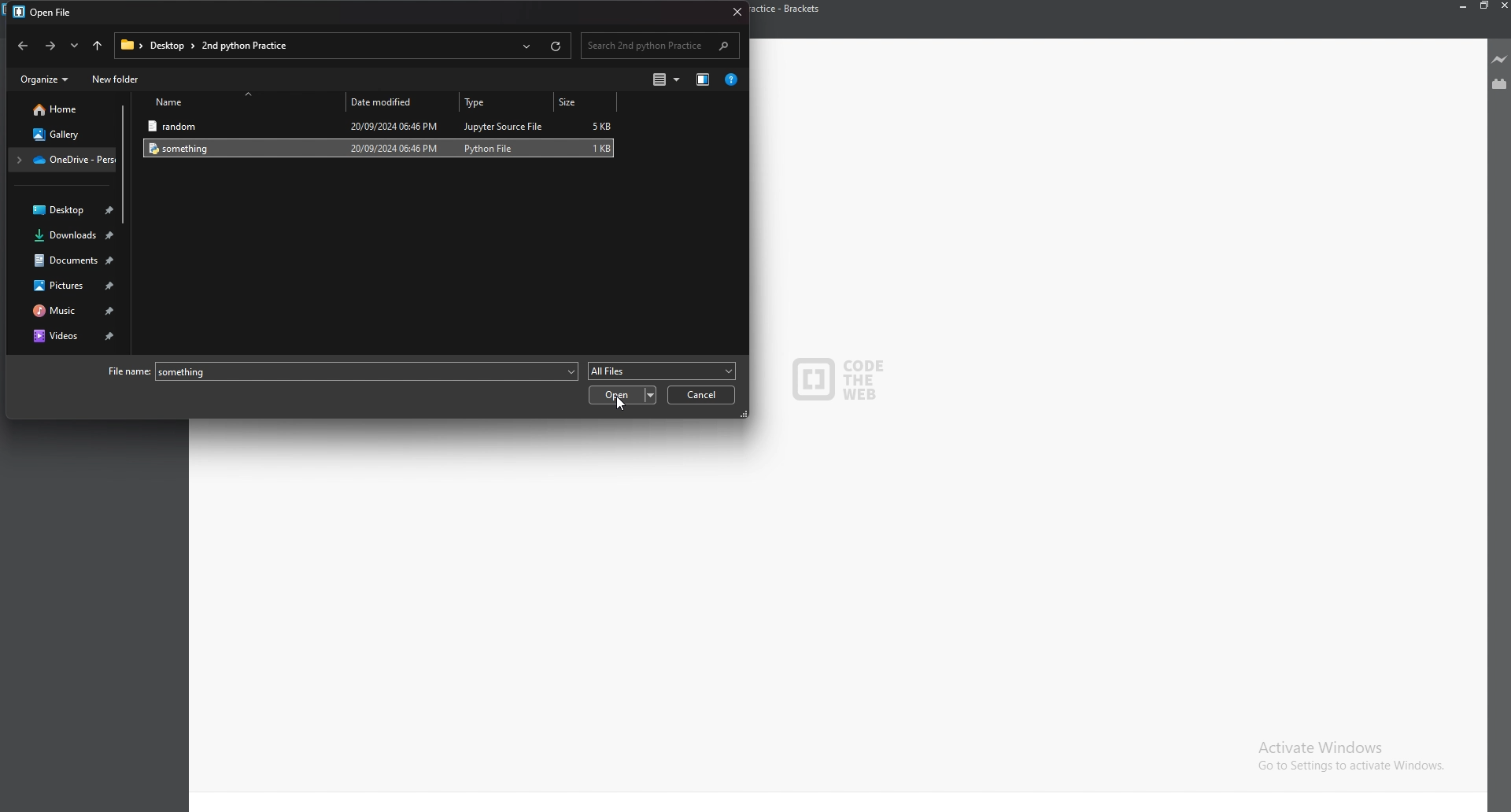 Image resolution: width=1511 pixels, height=812 pixels. I want to click on change view, so click(703, 81).